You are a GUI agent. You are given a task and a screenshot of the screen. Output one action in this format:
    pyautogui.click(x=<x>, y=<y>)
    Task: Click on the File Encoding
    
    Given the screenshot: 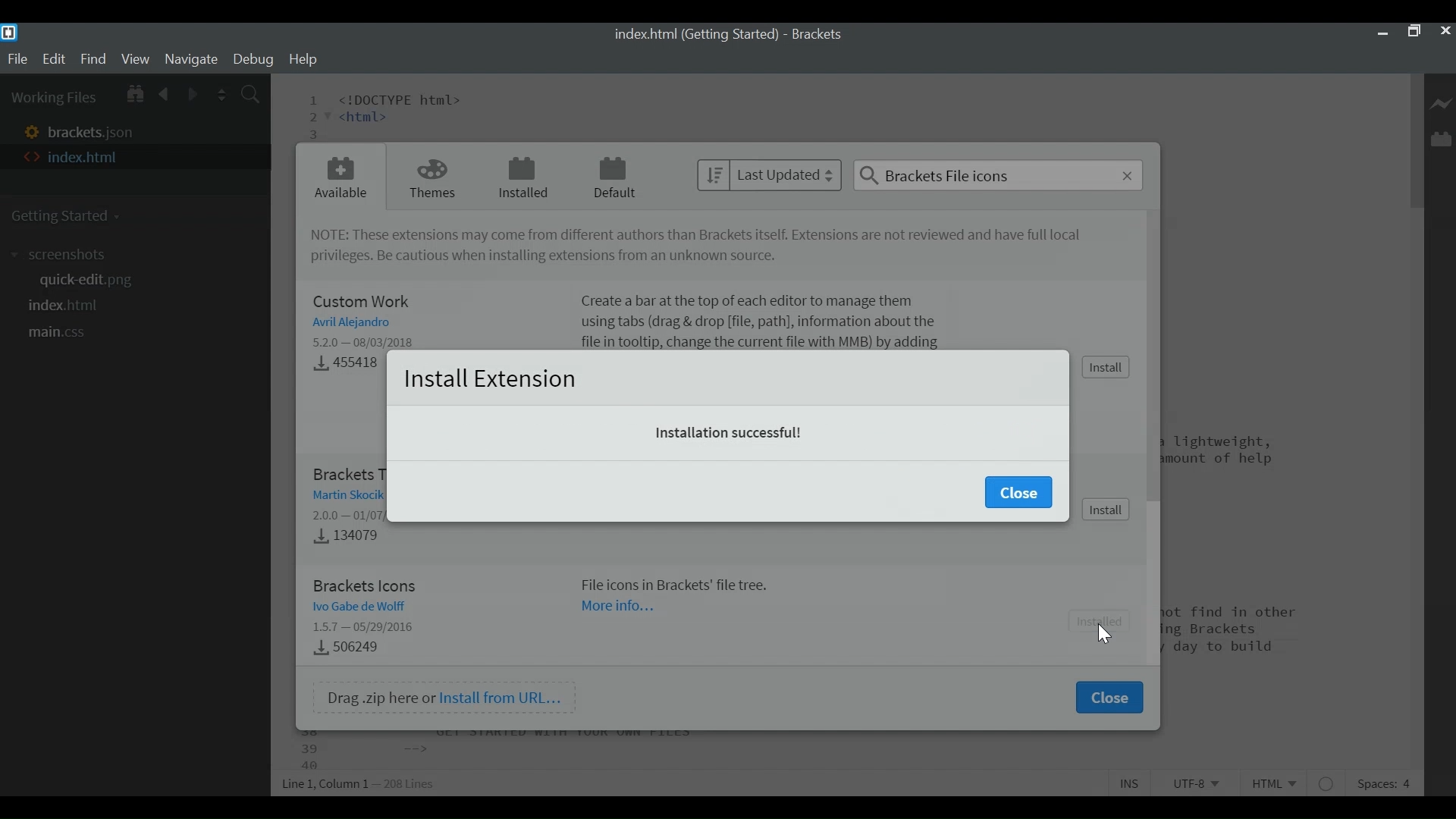 What is the action you would take?
    pyautogui.click(x=1193, y=783)
    